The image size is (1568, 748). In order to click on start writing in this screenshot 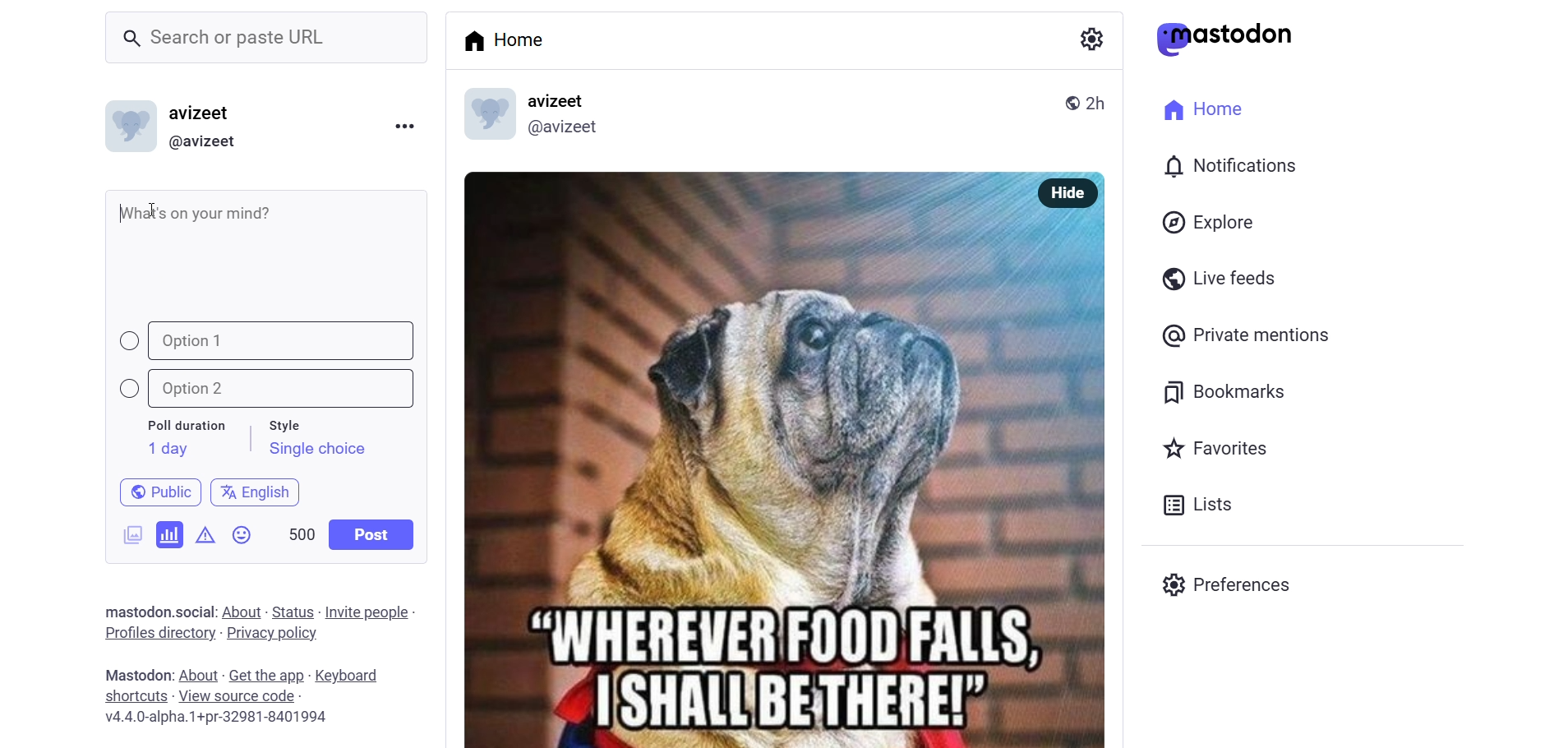, I will do `click(123, 210)`.